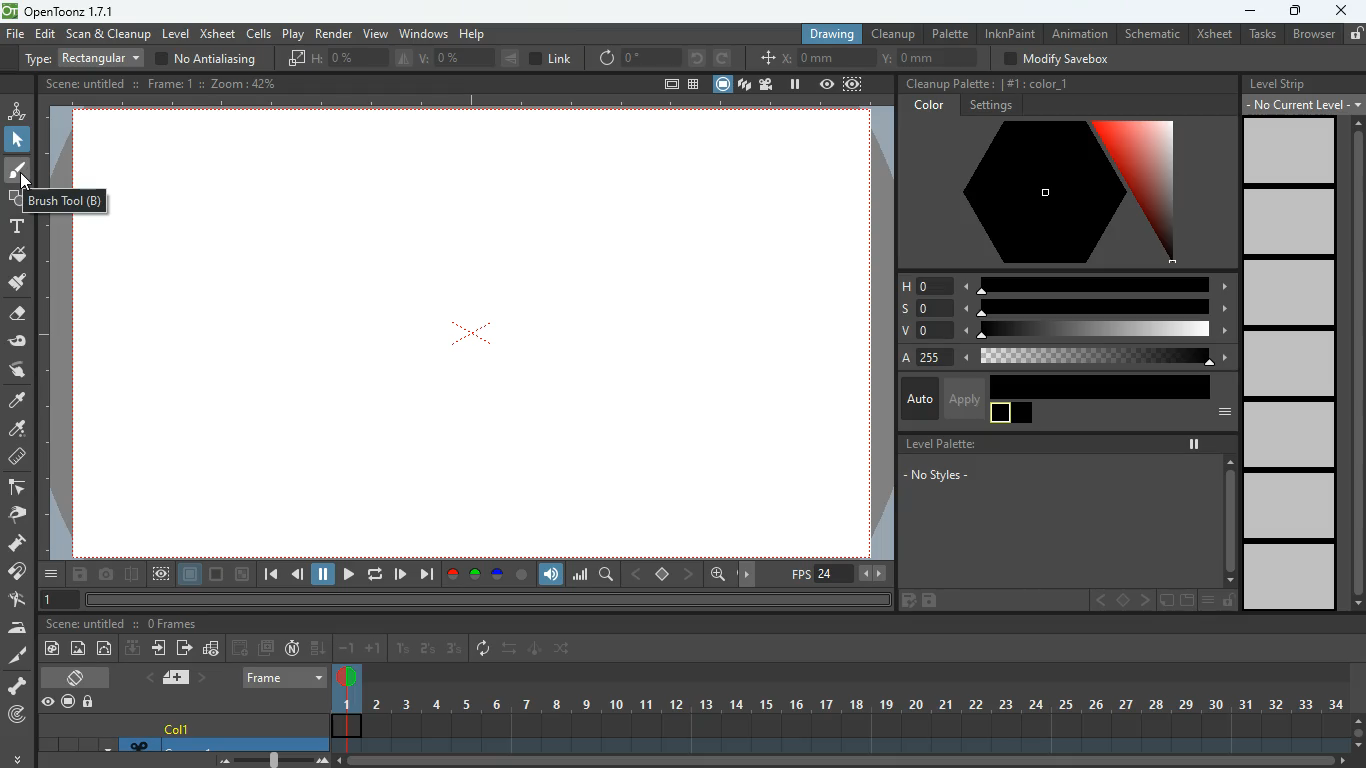  What do you see at coordinates (552, 575) in the screenshot?
I see `volume` at bounding box center [552, 575].